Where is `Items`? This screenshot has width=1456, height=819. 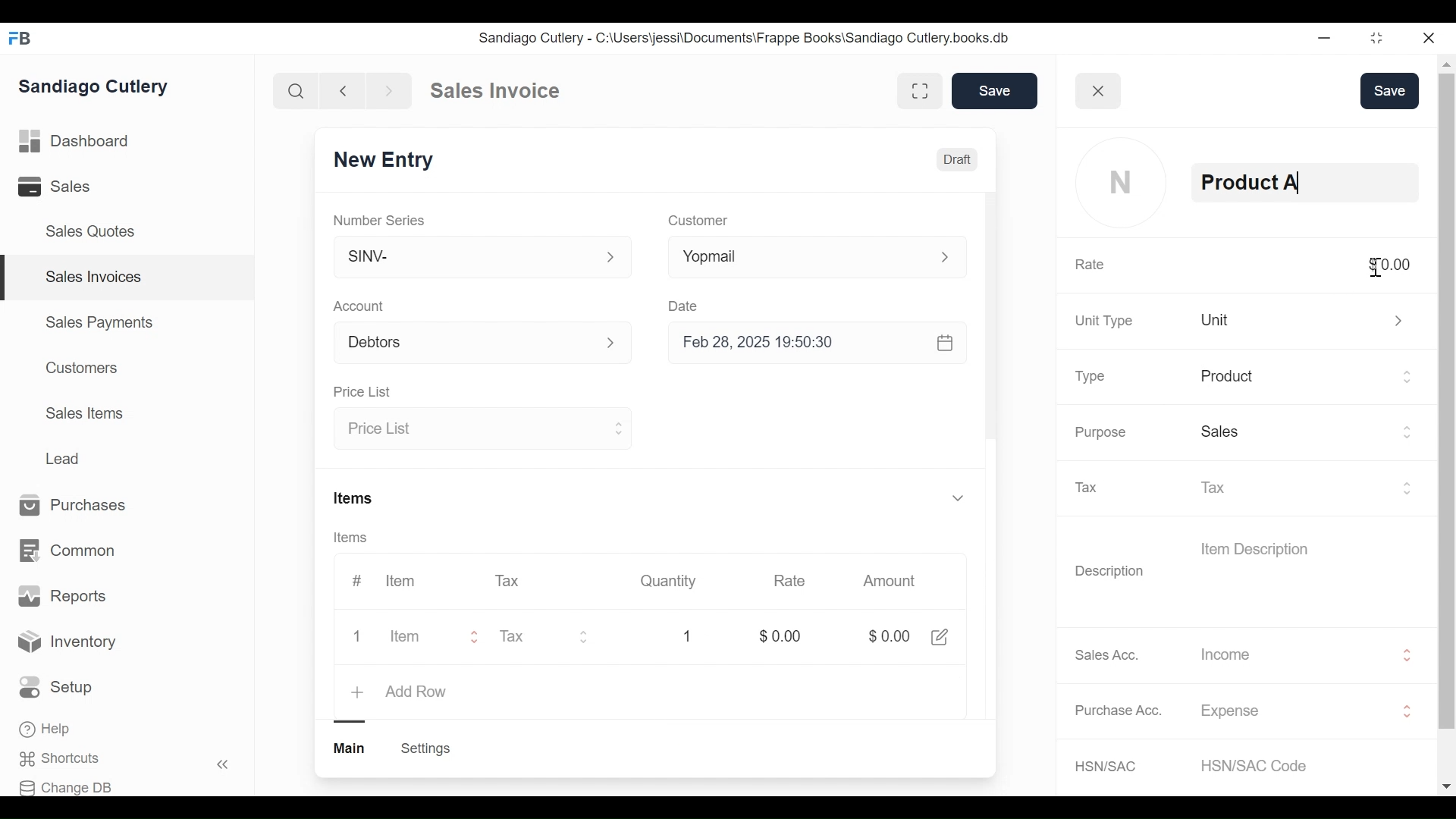 Items is located at coordinates (356, 497).